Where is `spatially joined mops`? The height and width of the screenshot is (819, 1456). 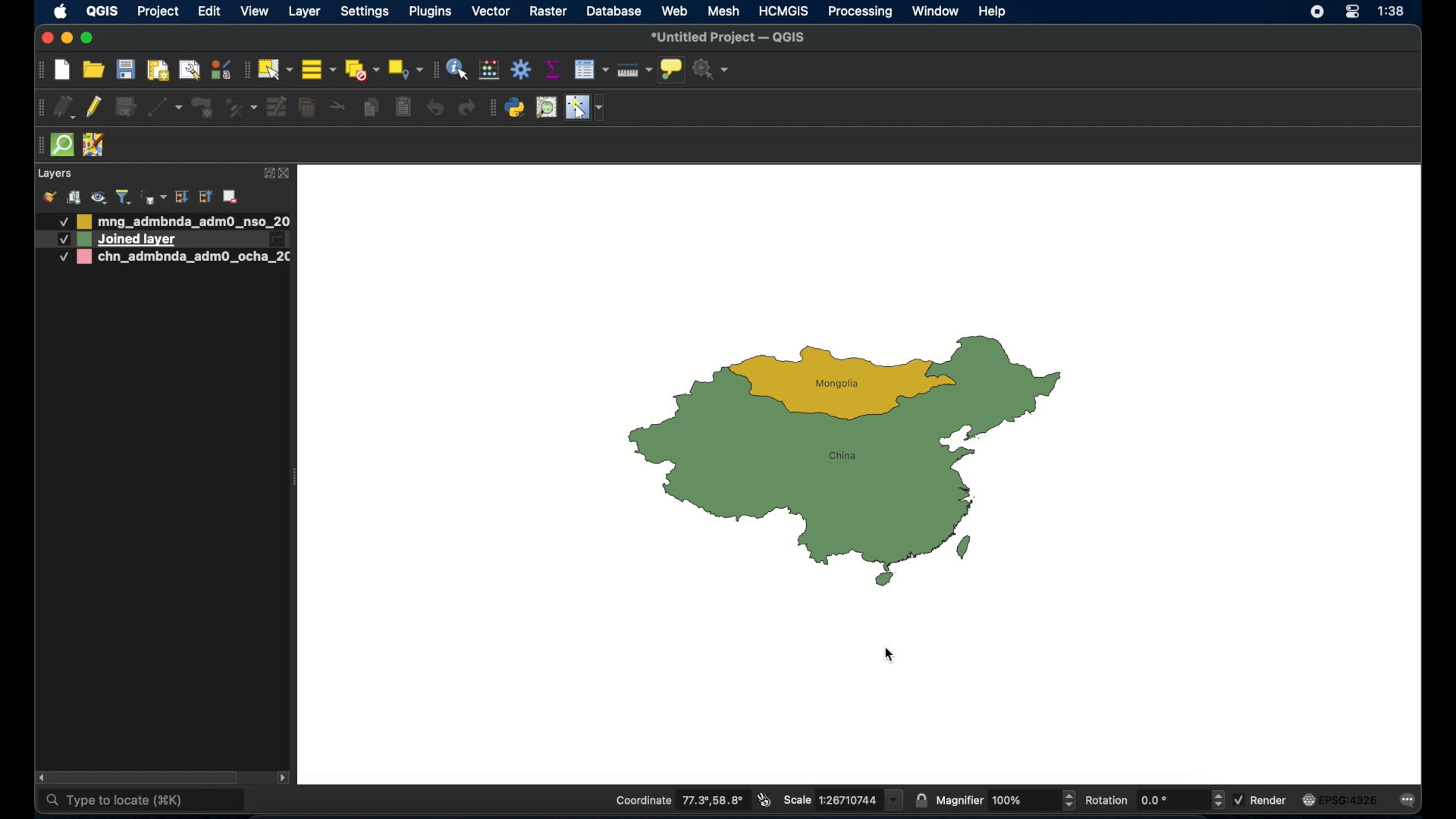 spatially joined mops is located at coordinates (843, 461).